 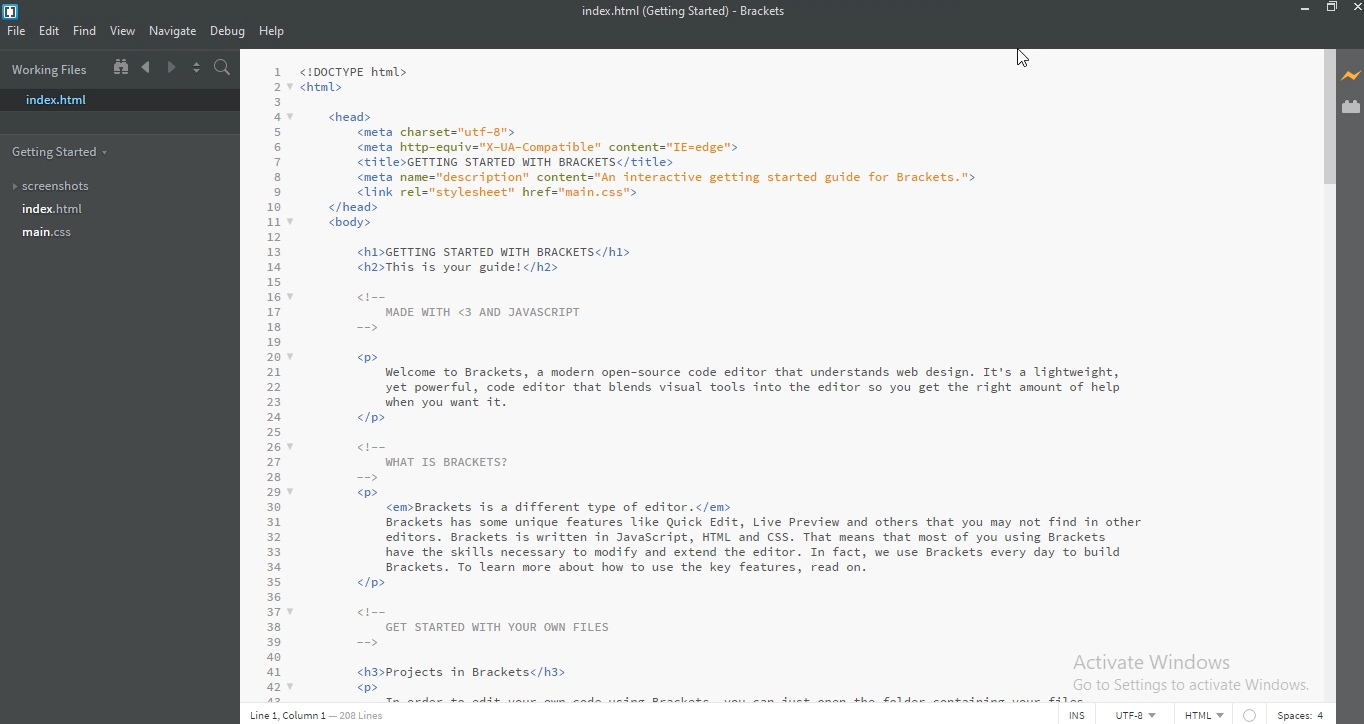 I want to click on Split the editor vertically or horizontally, so click(x=198, y=69).